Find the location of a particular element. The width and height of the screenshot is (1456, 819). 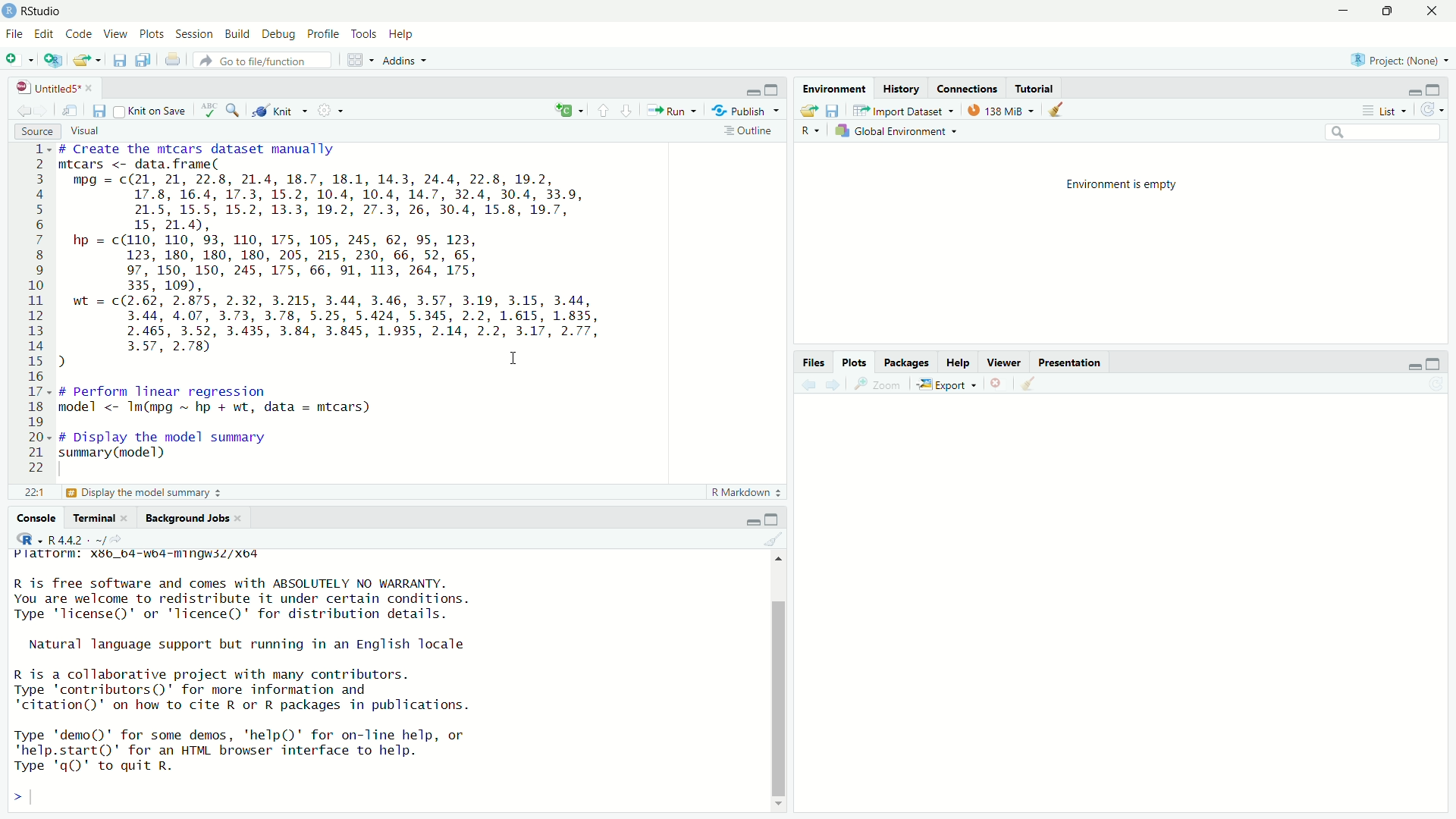

maximize is located at coordinates (773, 90).